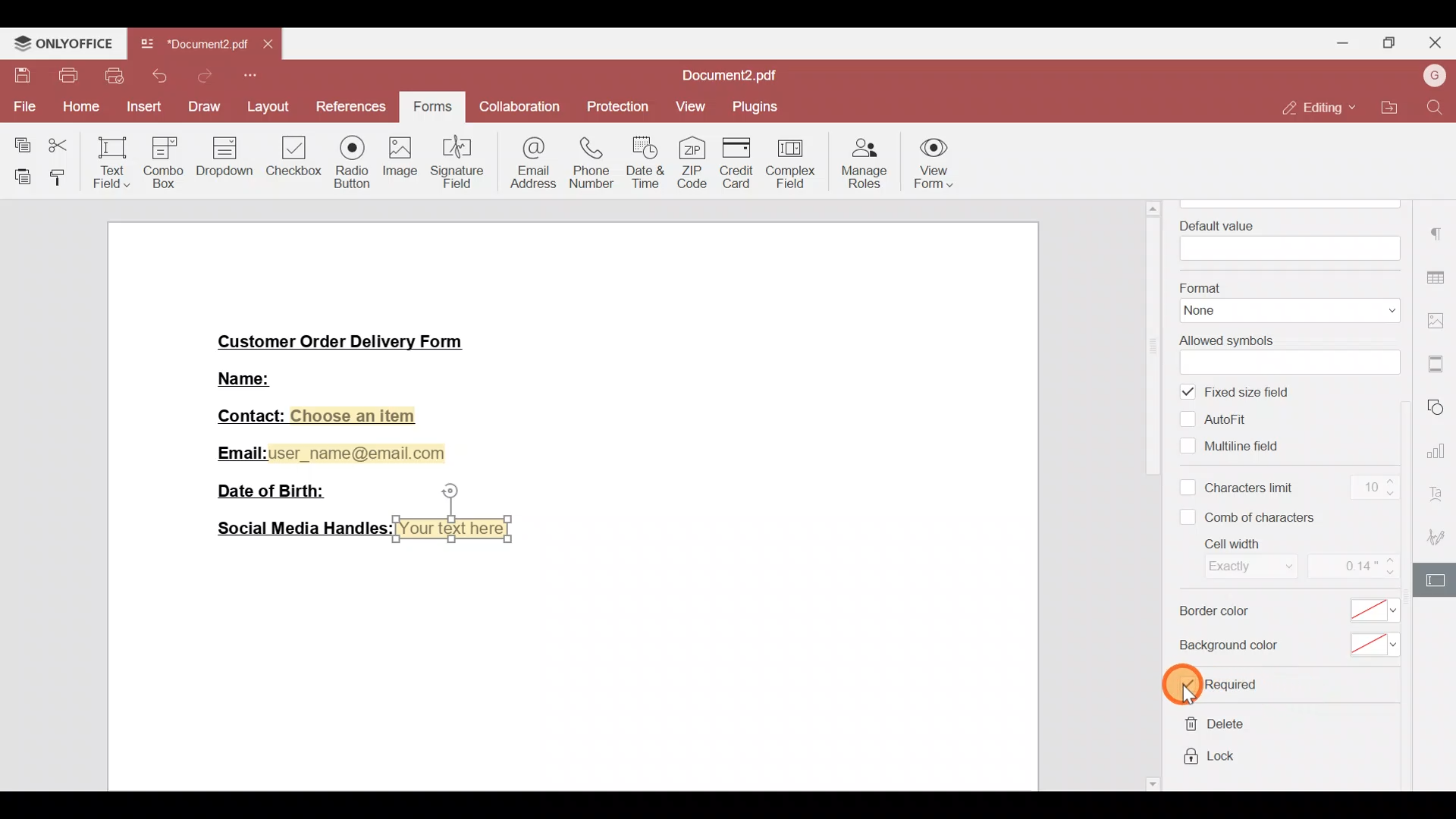  I want to click on Home, so click(79, 108).